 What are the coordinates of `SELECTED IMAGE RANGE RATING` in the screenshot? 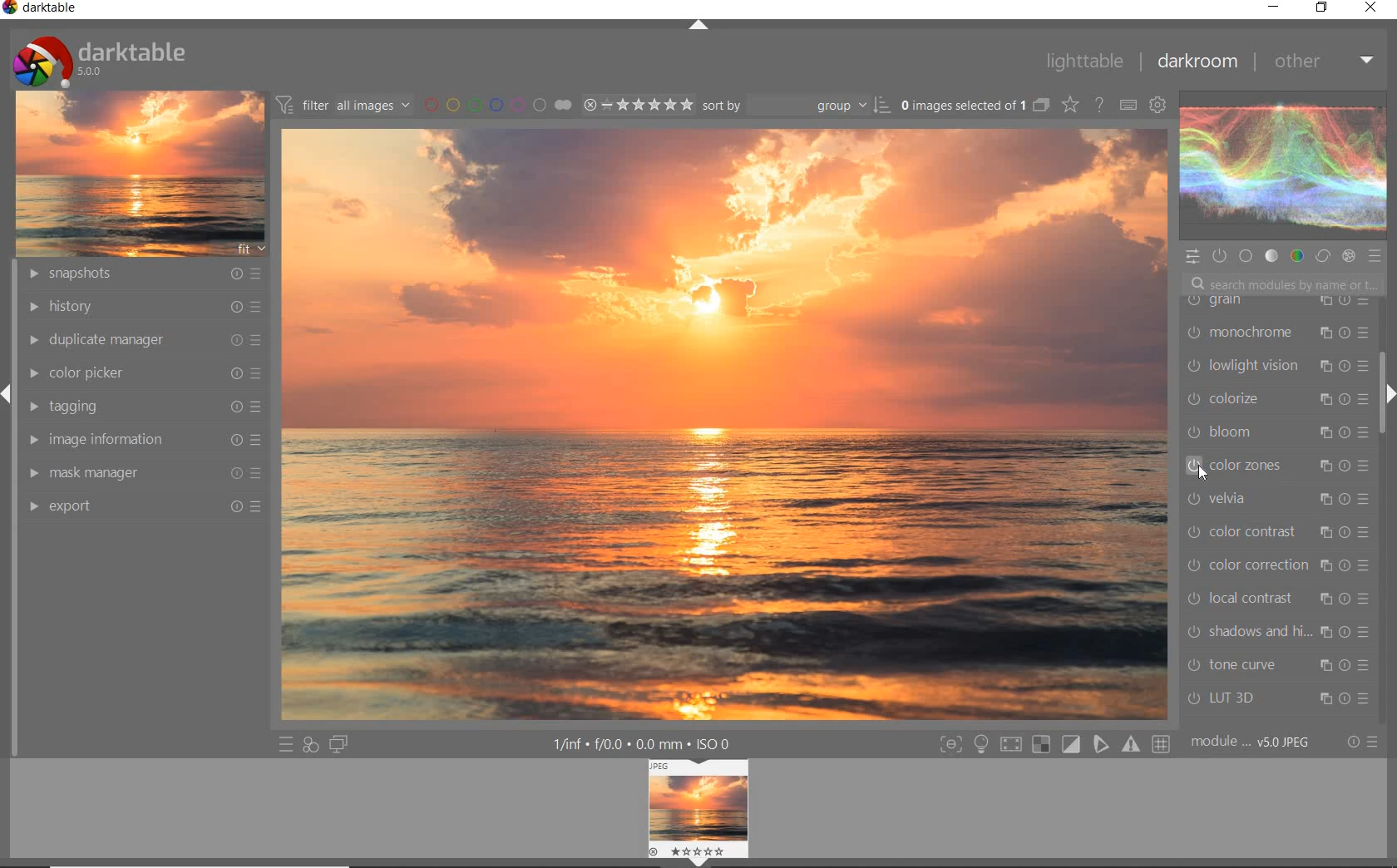 It's located at (639, 104).